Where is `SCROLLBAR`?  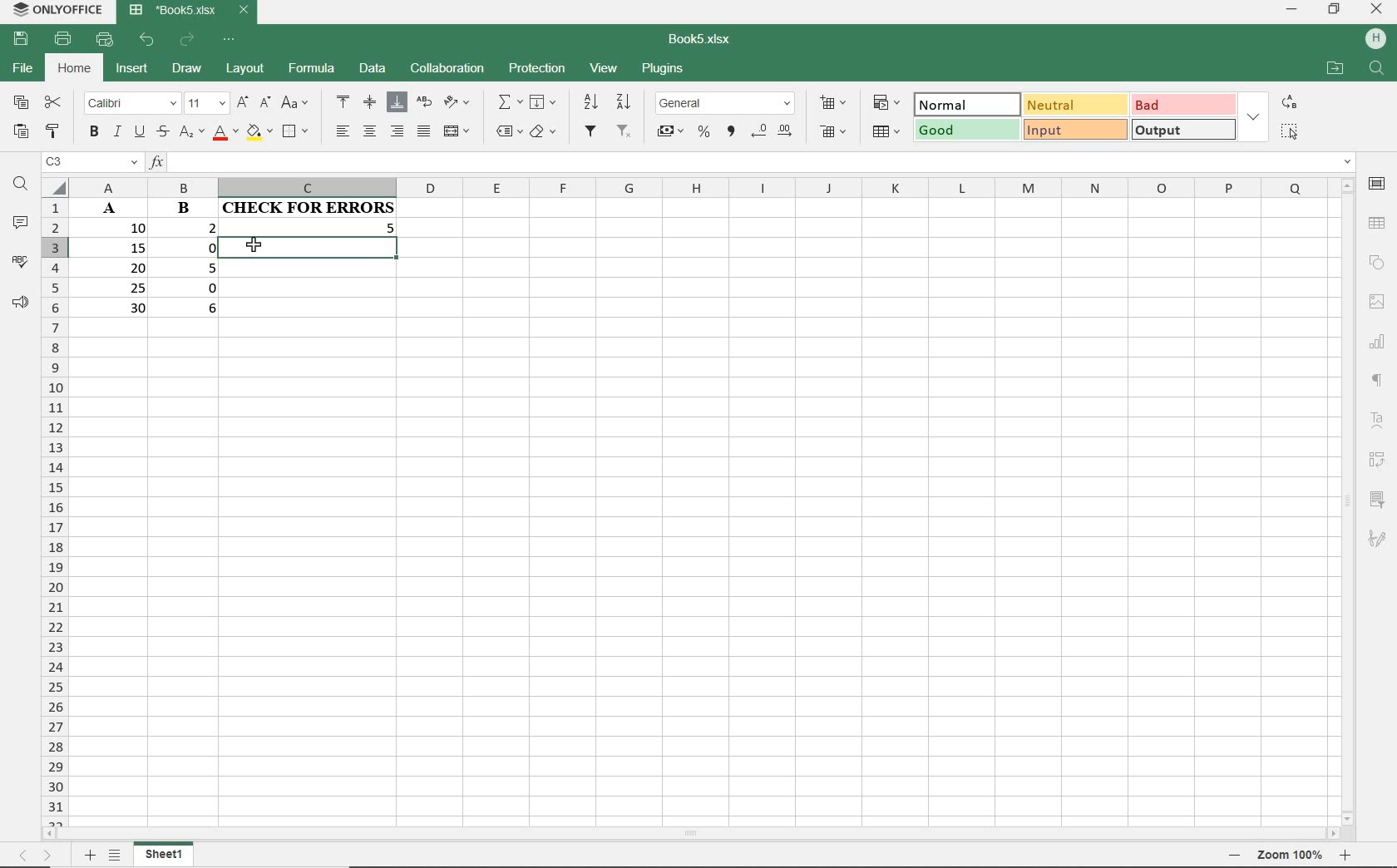
SCROLLBAR is located at coordinates (689, 836).